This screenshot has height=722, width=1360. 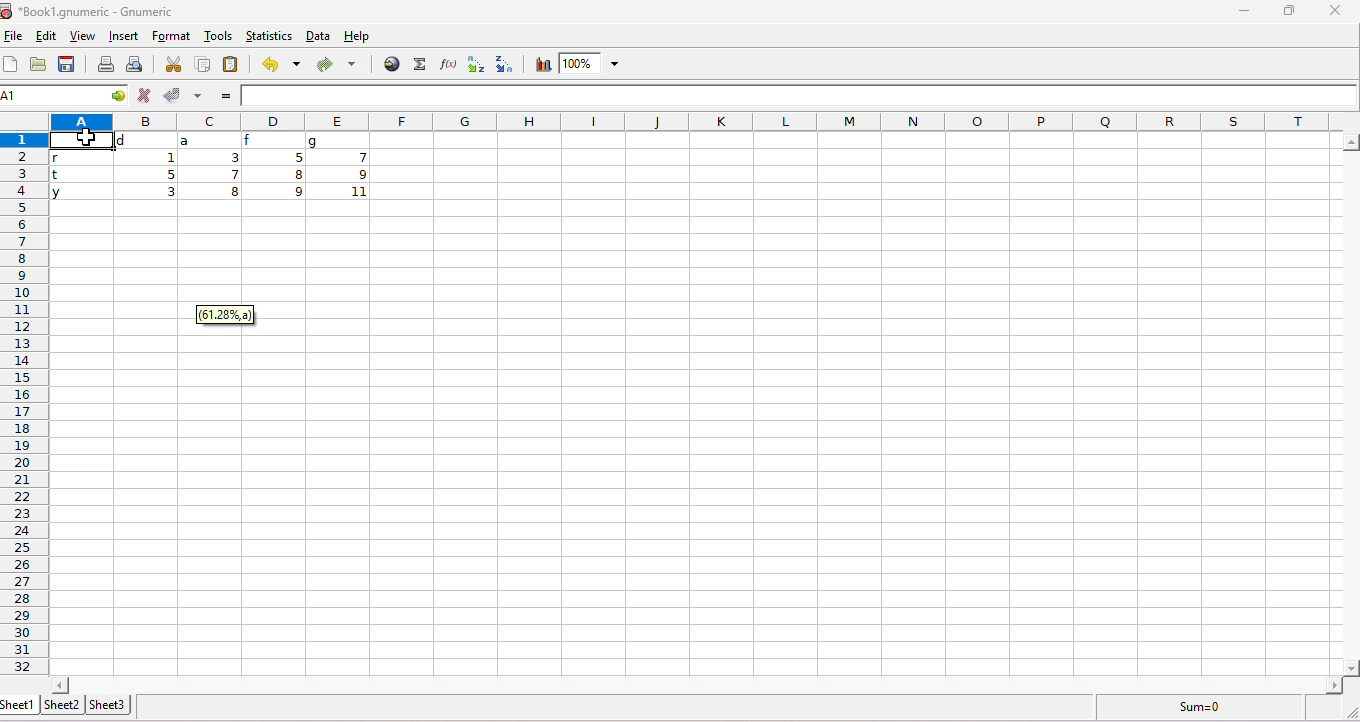 I want to click on sort descending, so click(x=500, y=64).